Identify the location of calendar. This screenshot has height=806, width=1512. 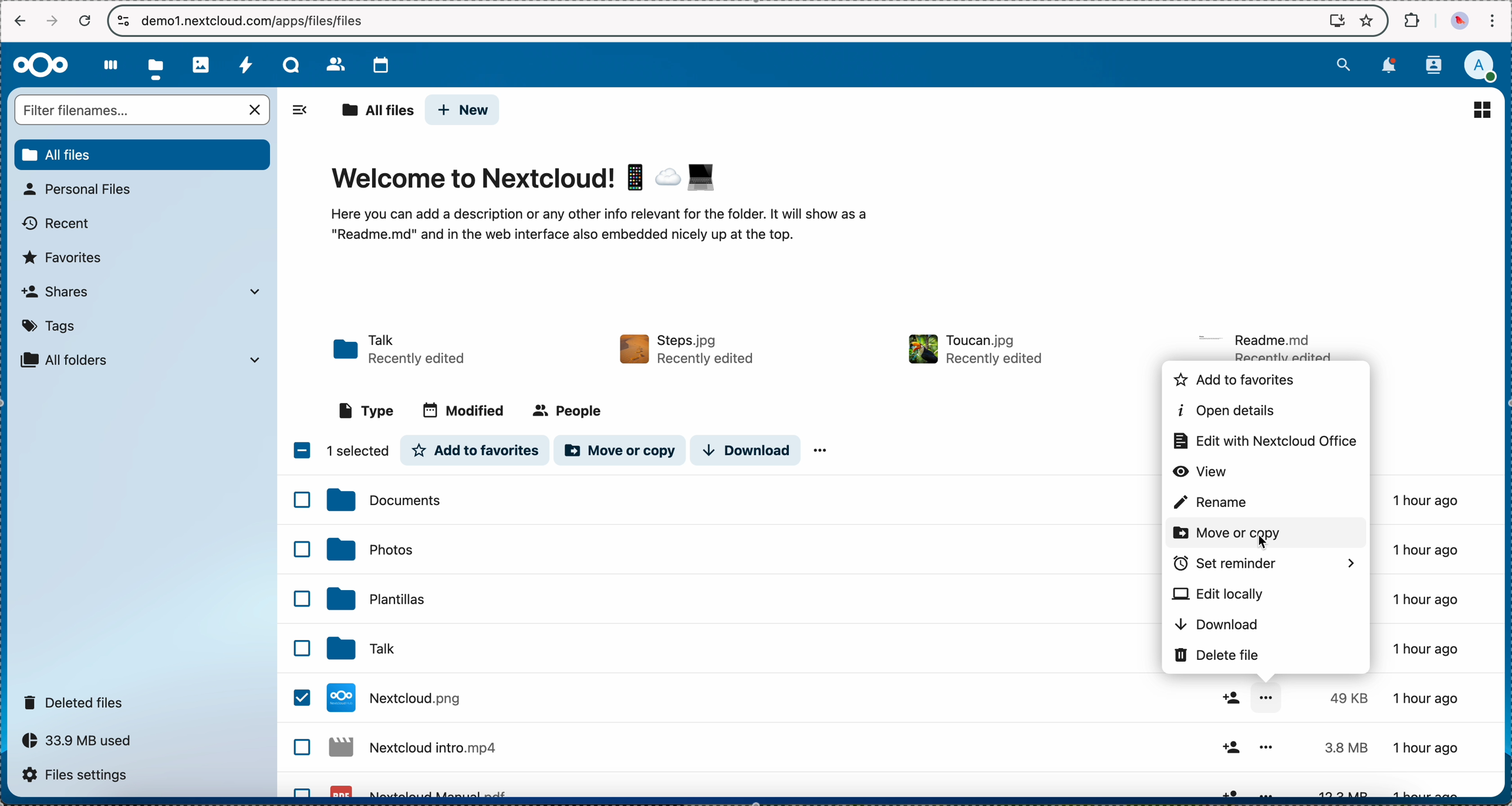
(376, 64).